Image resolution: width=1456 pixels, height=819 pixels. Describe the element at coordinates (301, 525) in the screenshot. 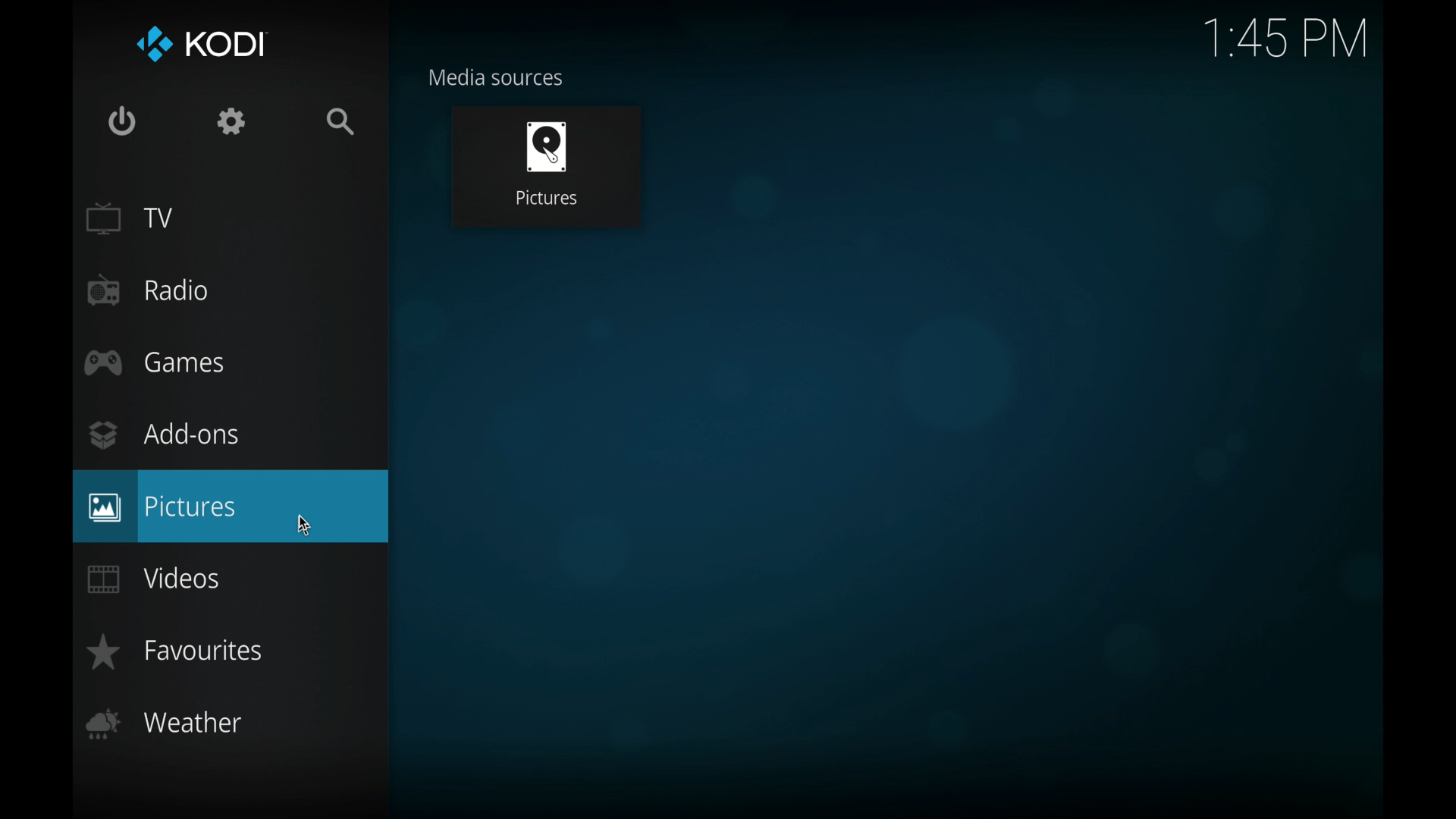

I see `cursor` at that location.